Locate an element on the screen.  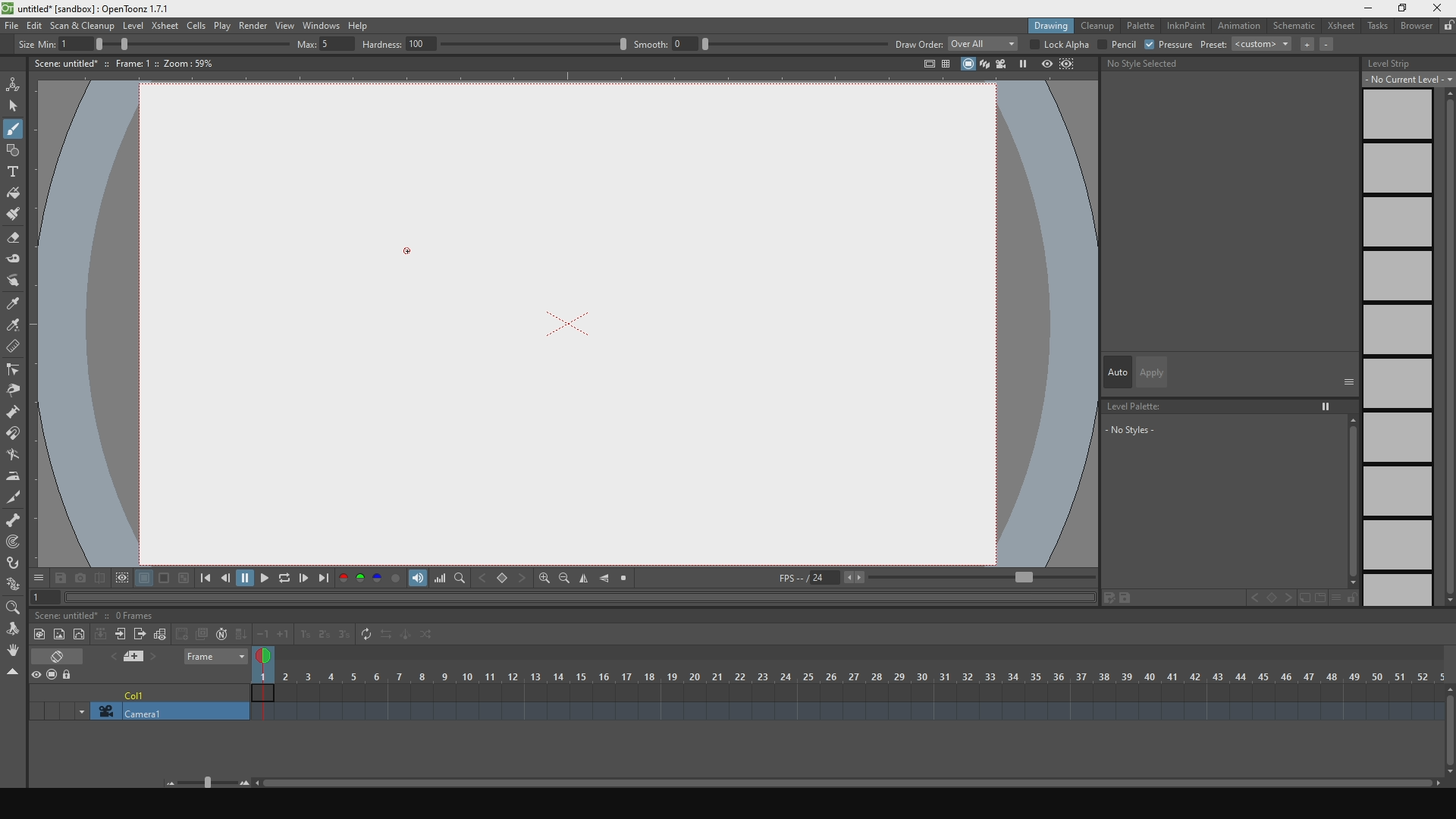
fill is located at coordinates (14, 193).